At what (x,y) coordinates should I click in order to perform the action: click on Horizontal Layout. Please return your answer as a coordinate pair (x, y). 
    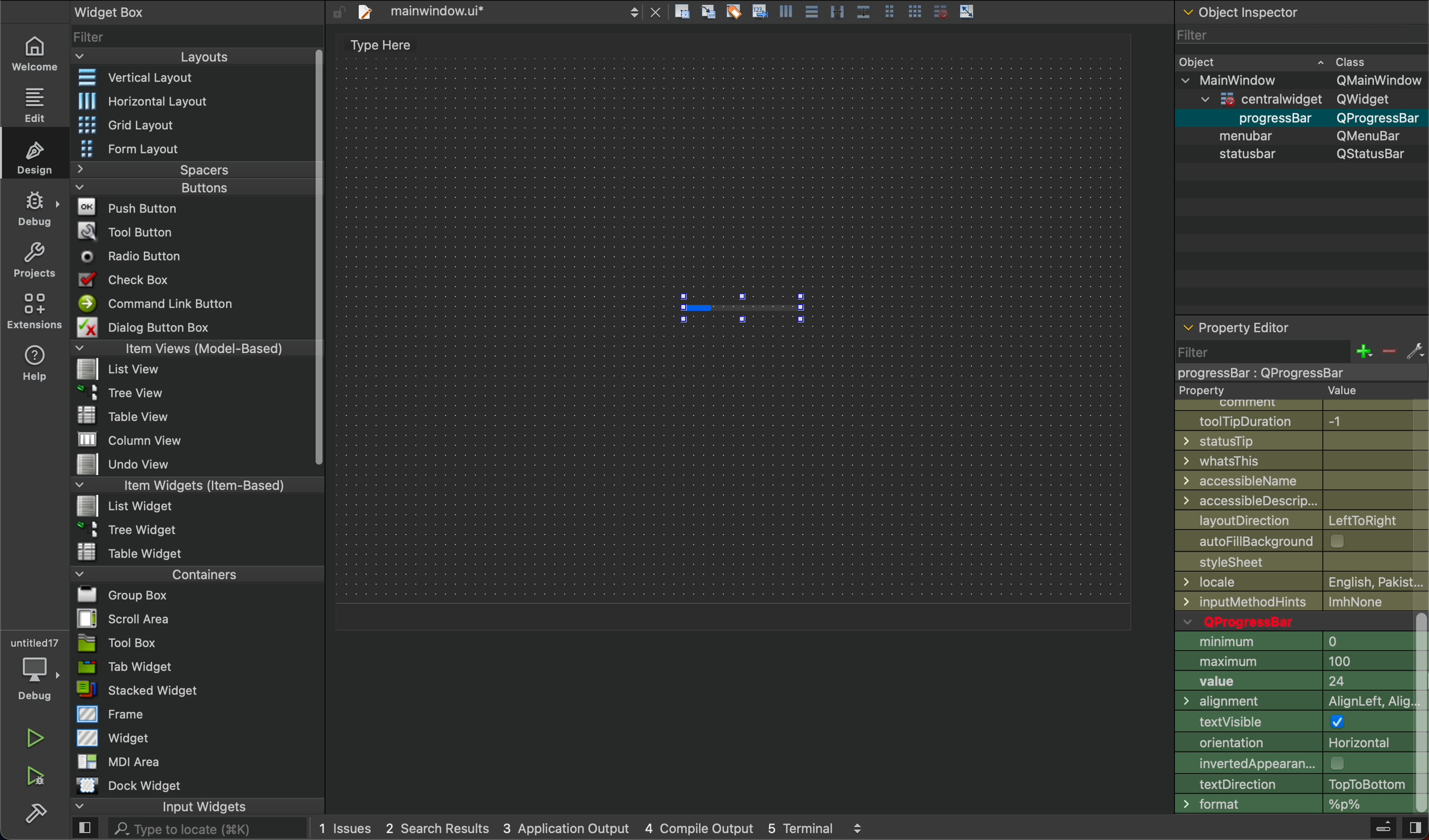
    Looking at the image, I should click on (184, 101).